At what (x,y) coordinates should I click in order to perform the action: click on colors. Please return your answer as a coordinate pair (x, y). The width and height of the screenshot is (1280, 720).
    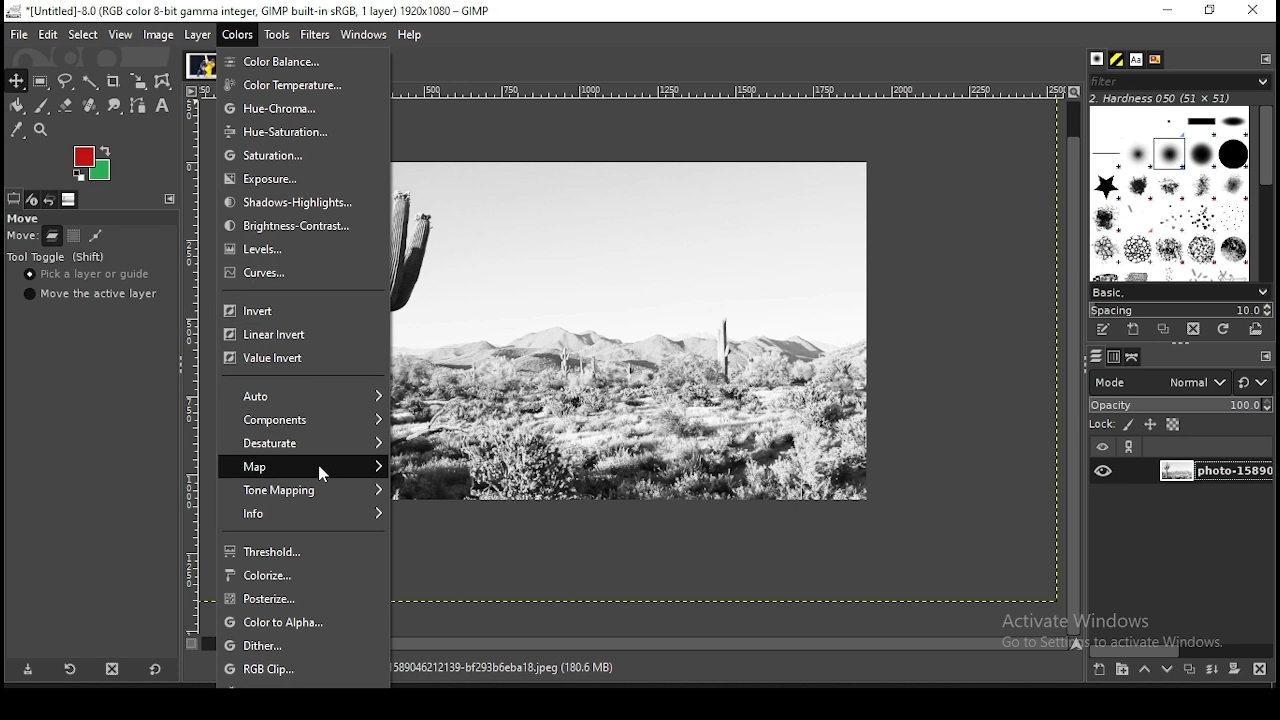
    Looking at the image, I should click on (239, 34).